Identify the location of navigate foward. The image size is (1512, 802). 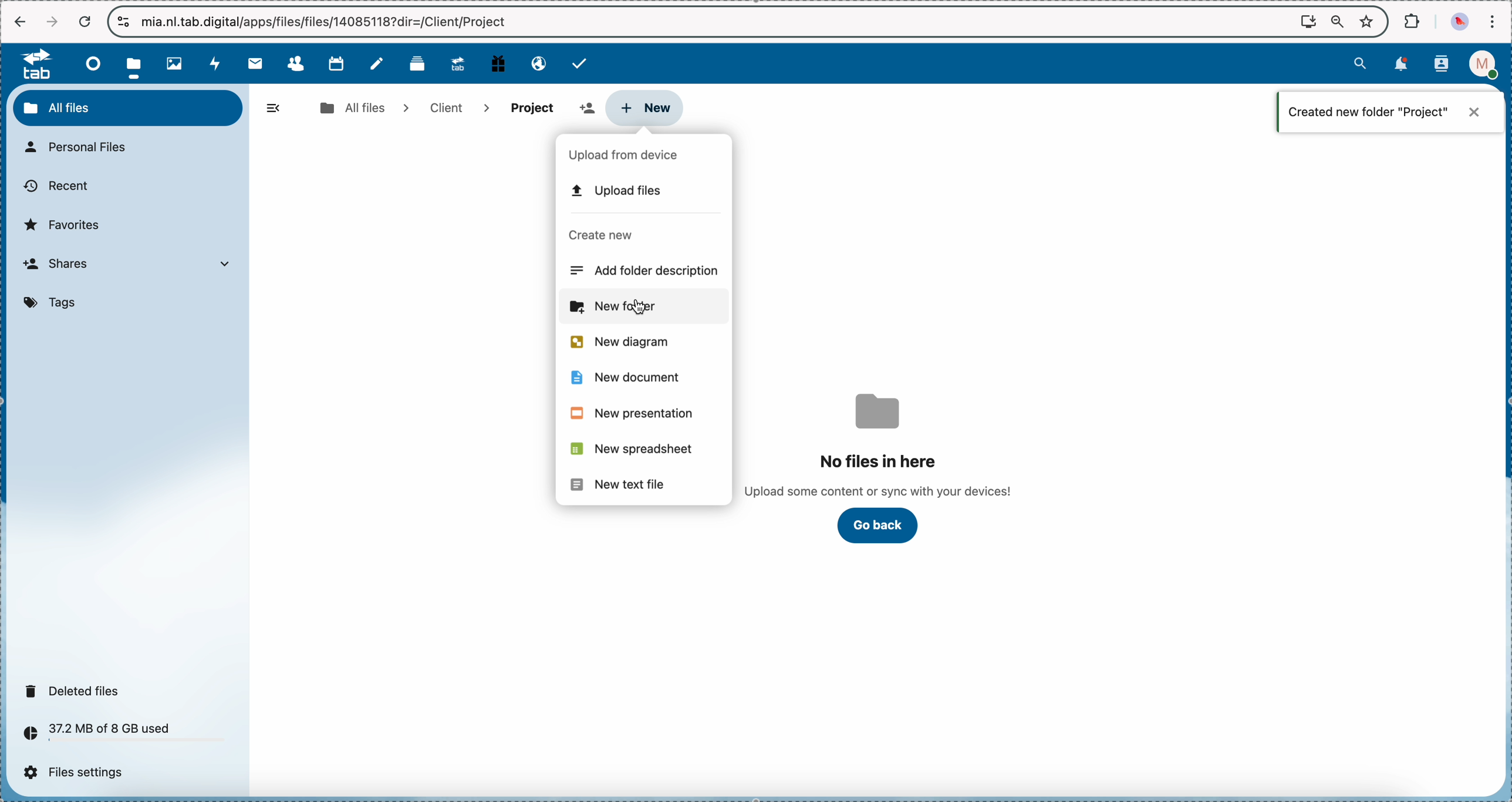
(52, 22).